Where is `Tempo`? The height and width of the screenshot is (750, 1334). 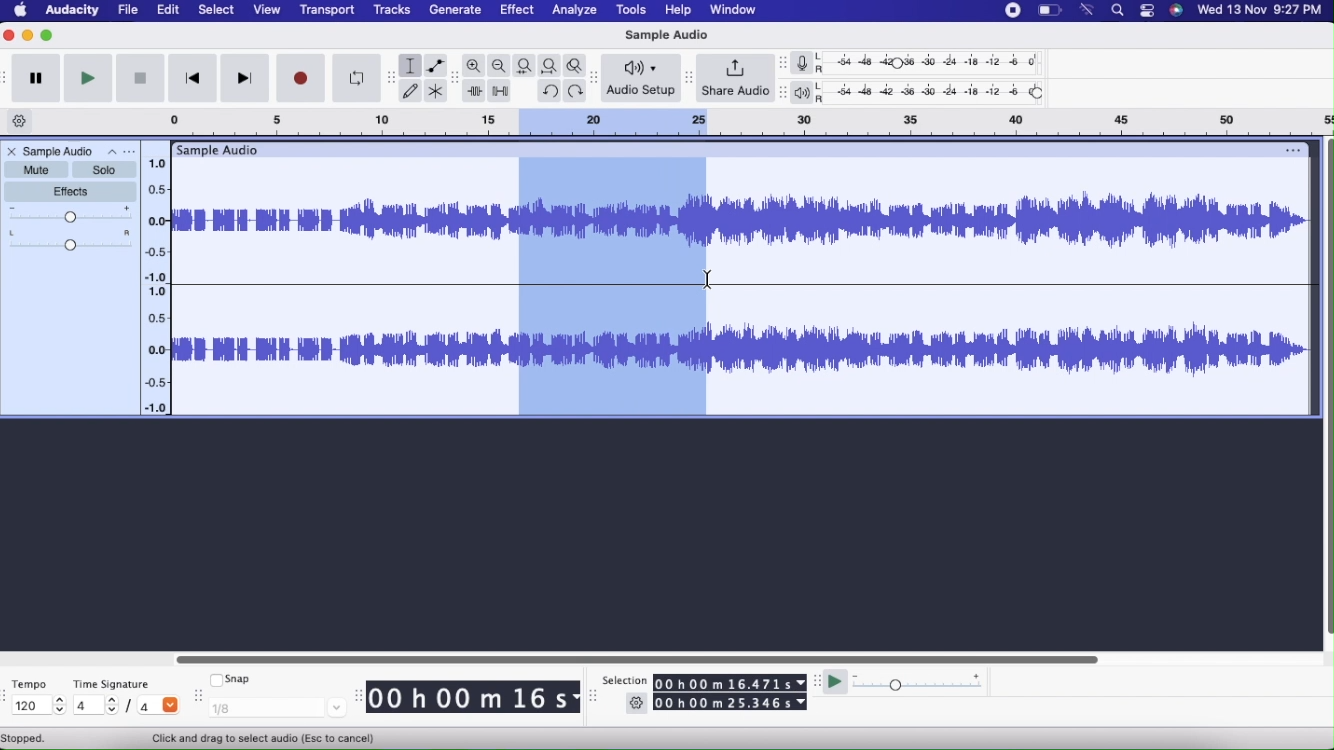 Tempo is located at coordinates (34, 682).